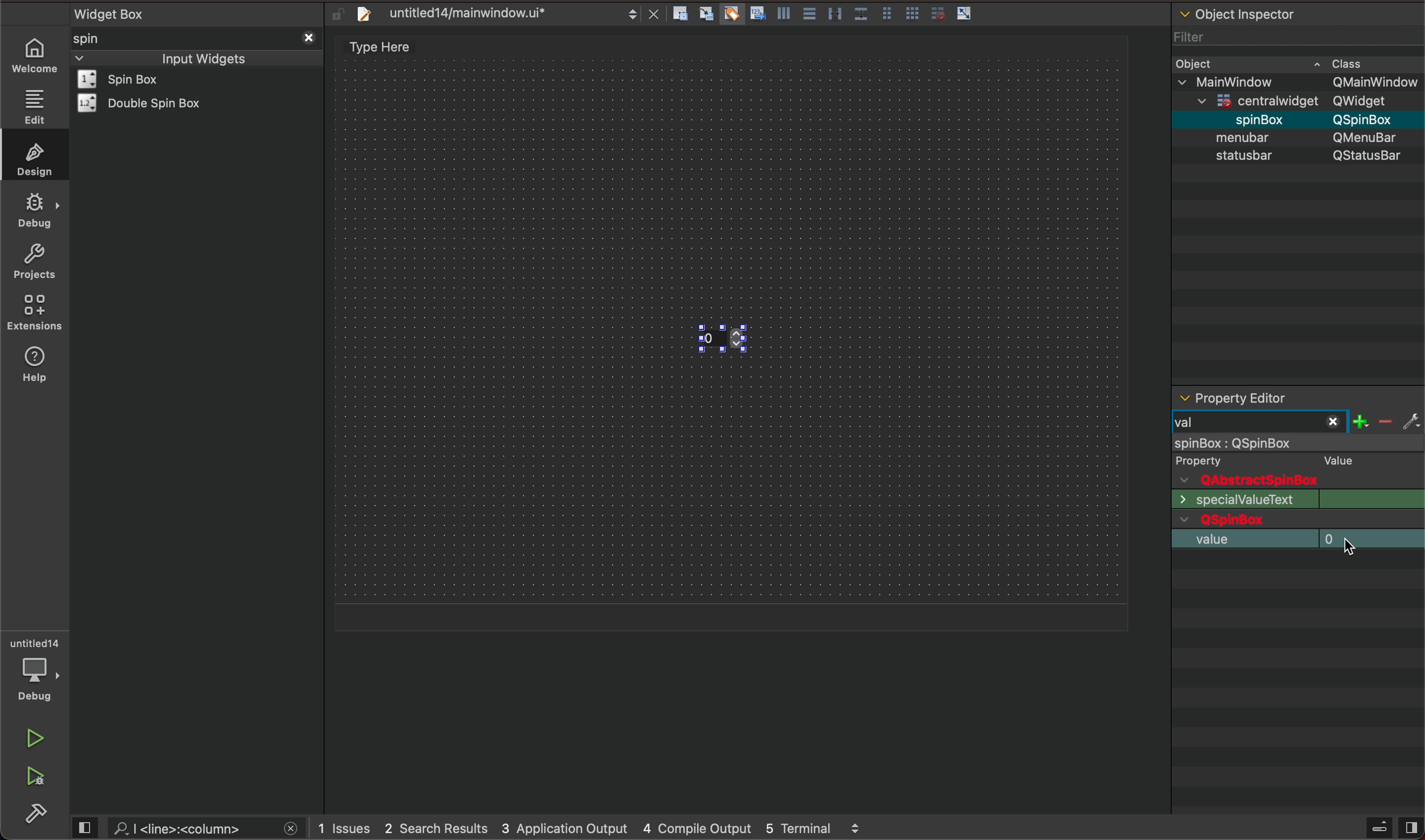 This screenshot has width=1425, height=840. Describe the element at coordinates (32, 157) in the screenshot. I see `design` at that location.